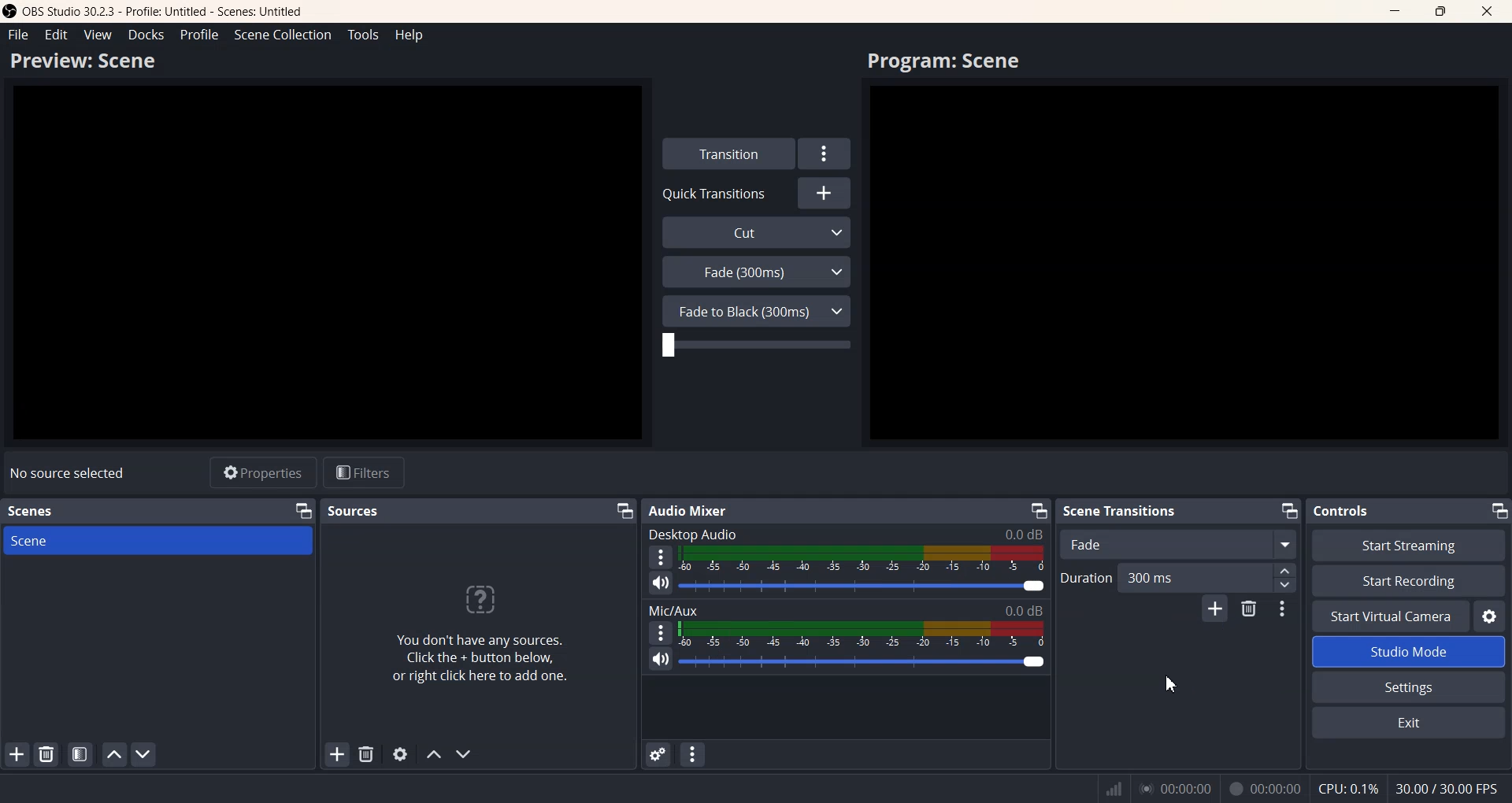  I want to click on Volume indicator, so click(863, 557).